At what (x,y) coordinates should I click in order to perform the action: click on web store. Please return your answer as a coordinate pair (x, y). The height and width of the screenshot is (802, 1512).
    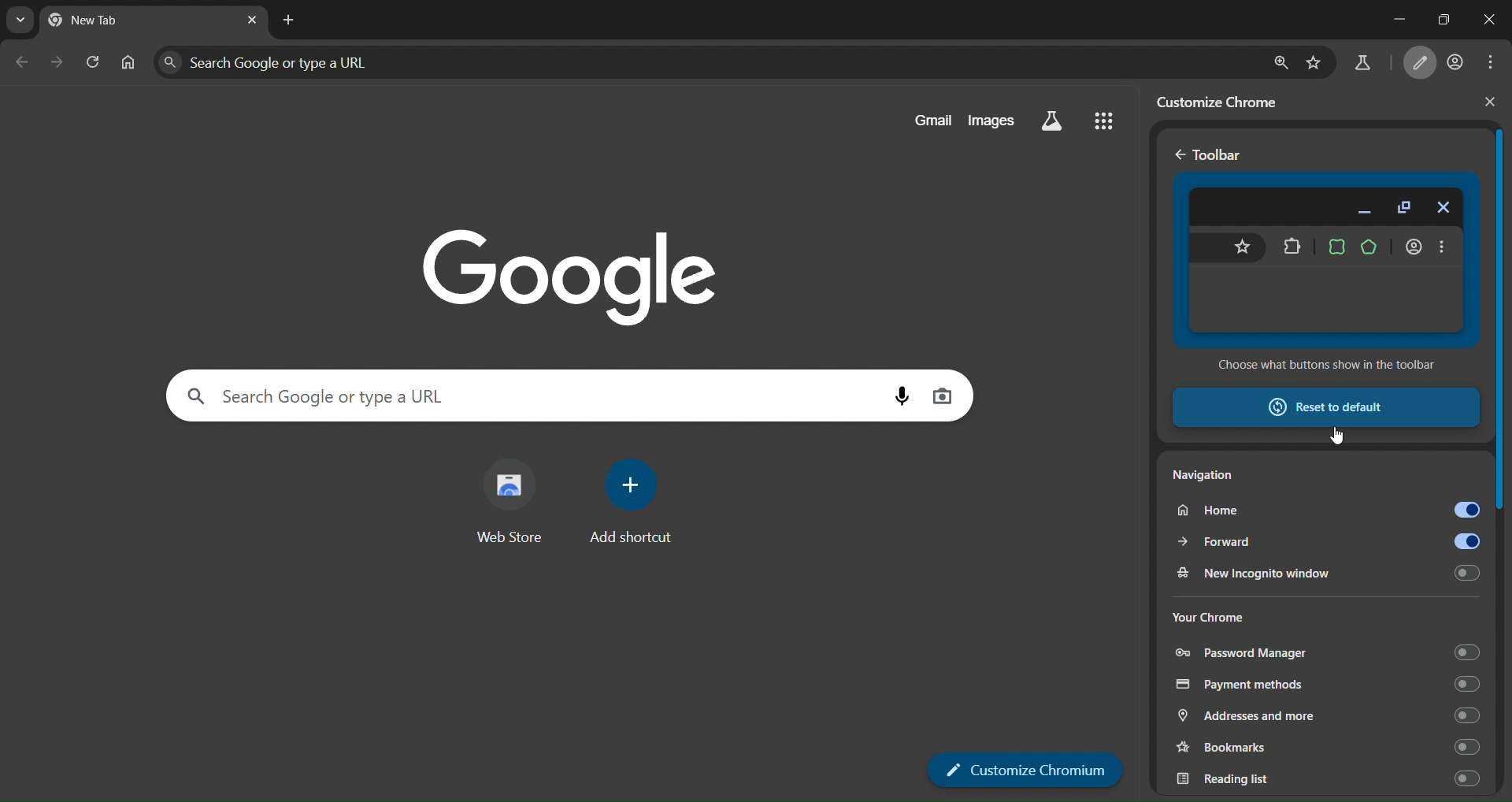
    Looking at the image, I should click on (510, 499).